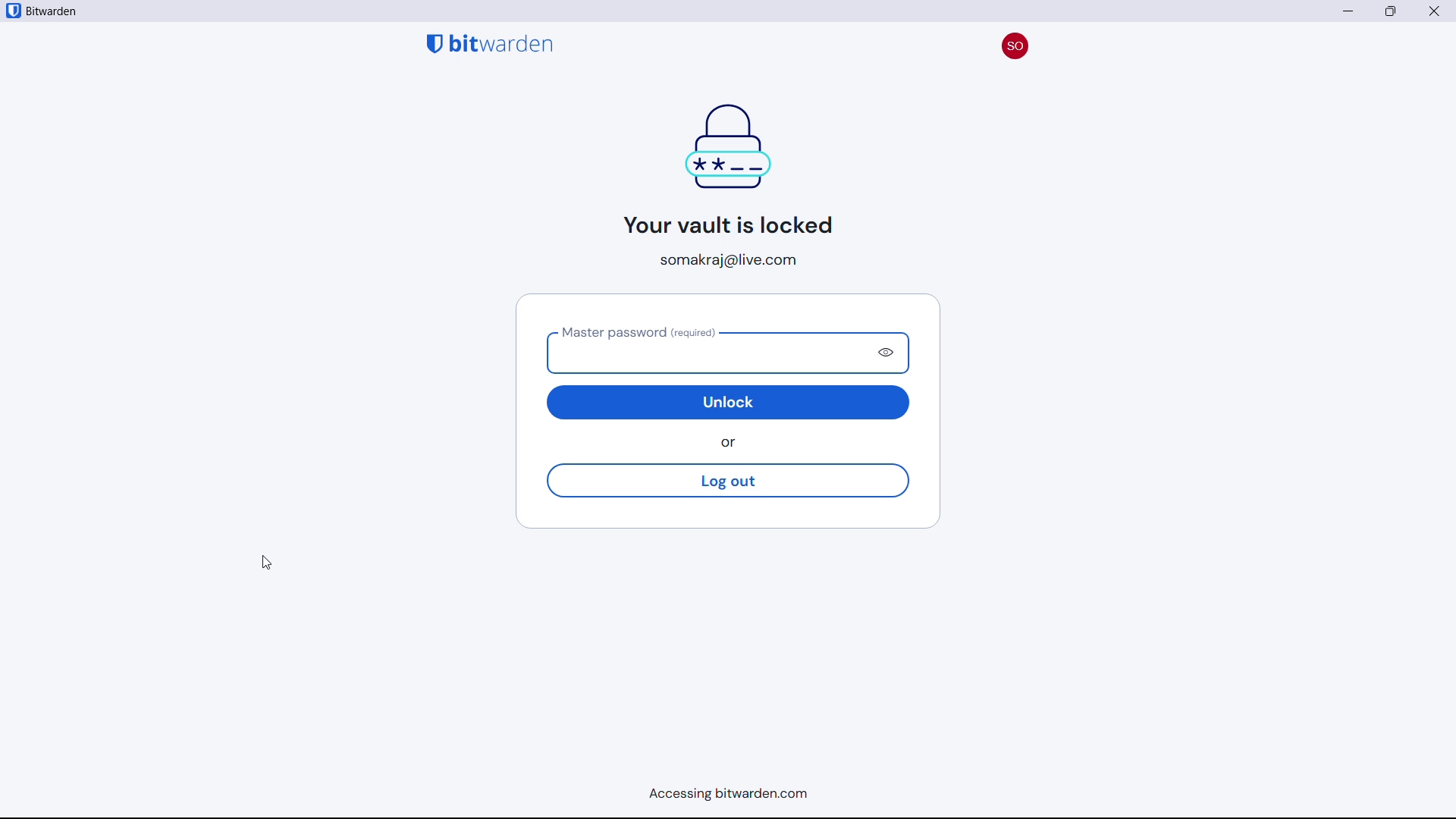 The width and height of the screenshot is (1456, 819). What do you see at coordinates (13, 11) in the screenshot?
I see `logo` at bounding box center [13, 11].